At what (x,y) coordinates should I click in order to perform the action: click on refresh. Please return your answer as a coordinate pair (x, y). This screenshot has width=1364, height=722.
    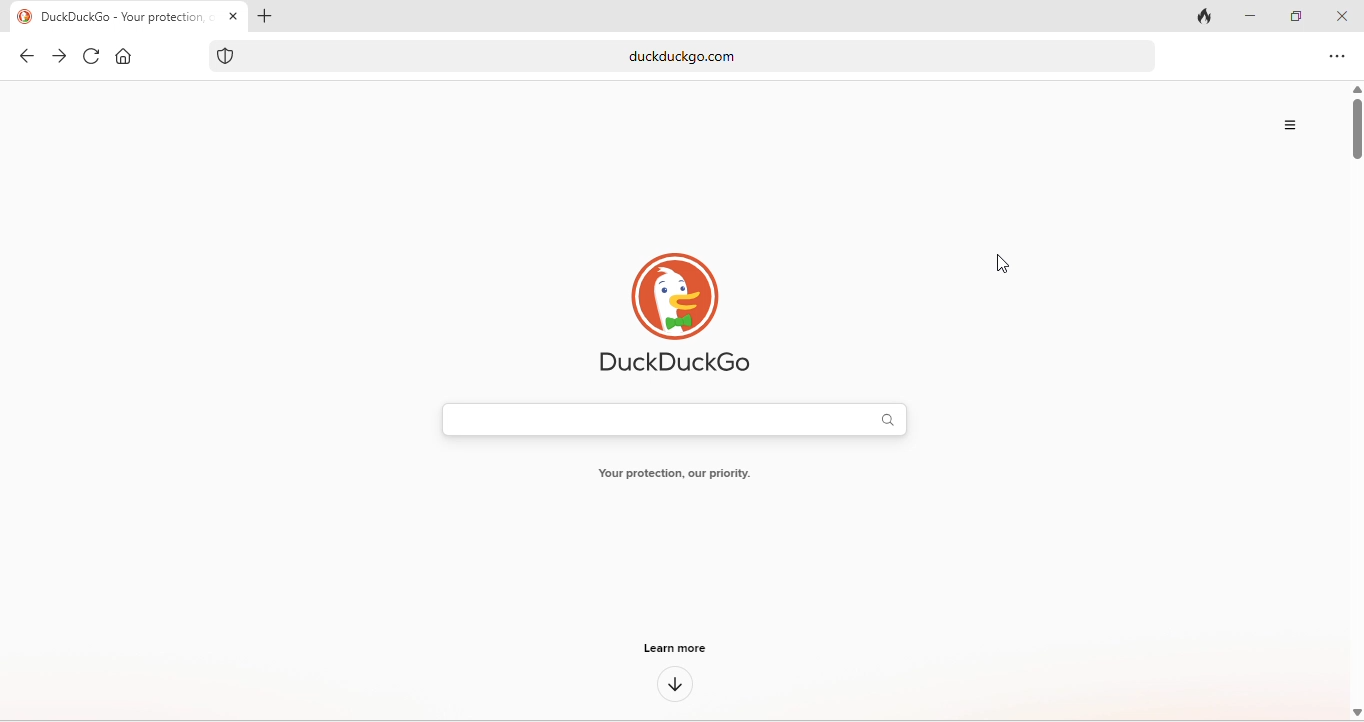
    Looking at the image, I should click on (87, 57).